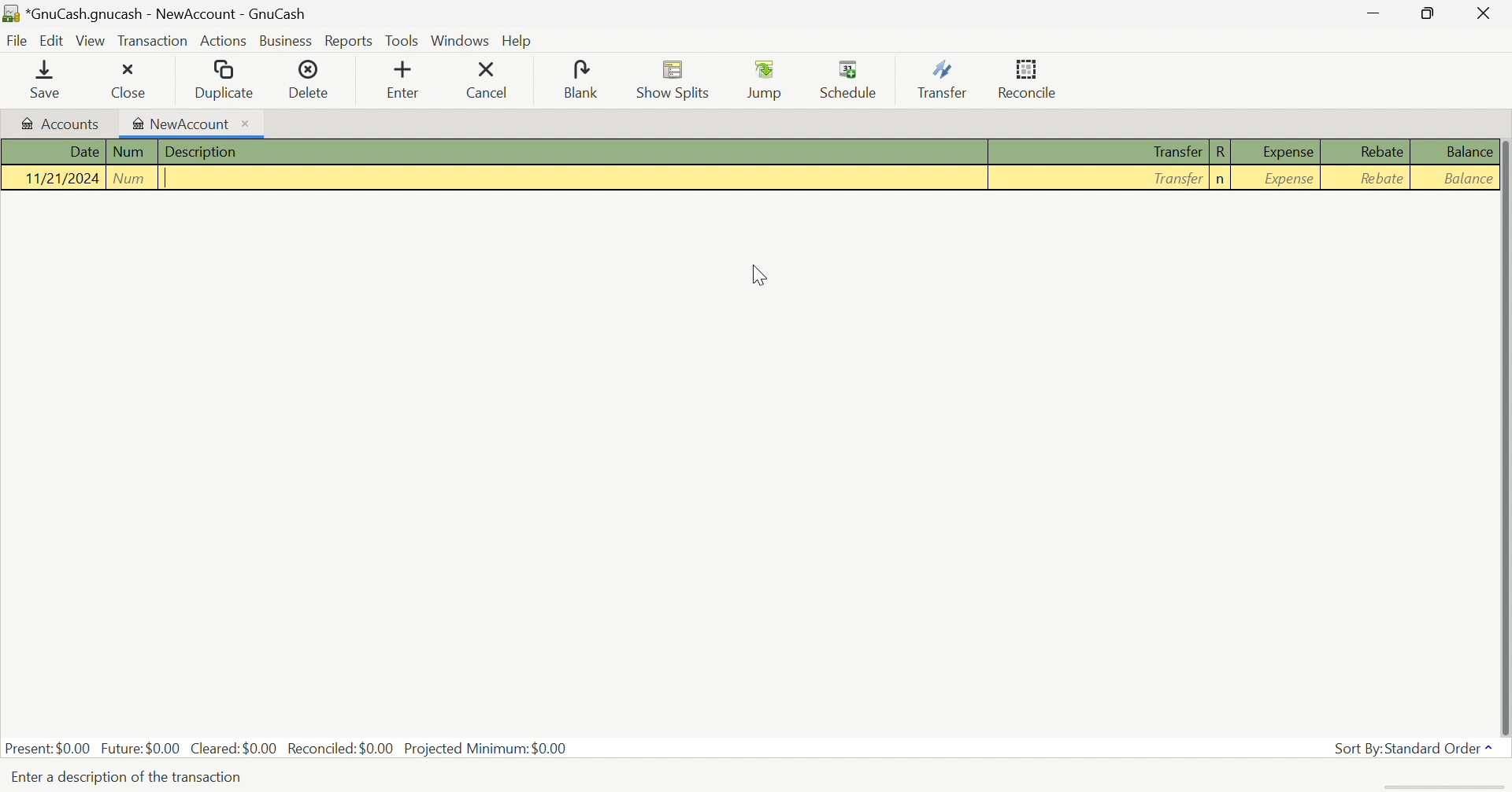 This screenshot has height=792, width=1512. Describe the element at coordinates (1290, 179) in the screenshot. I see `expense` at that location.